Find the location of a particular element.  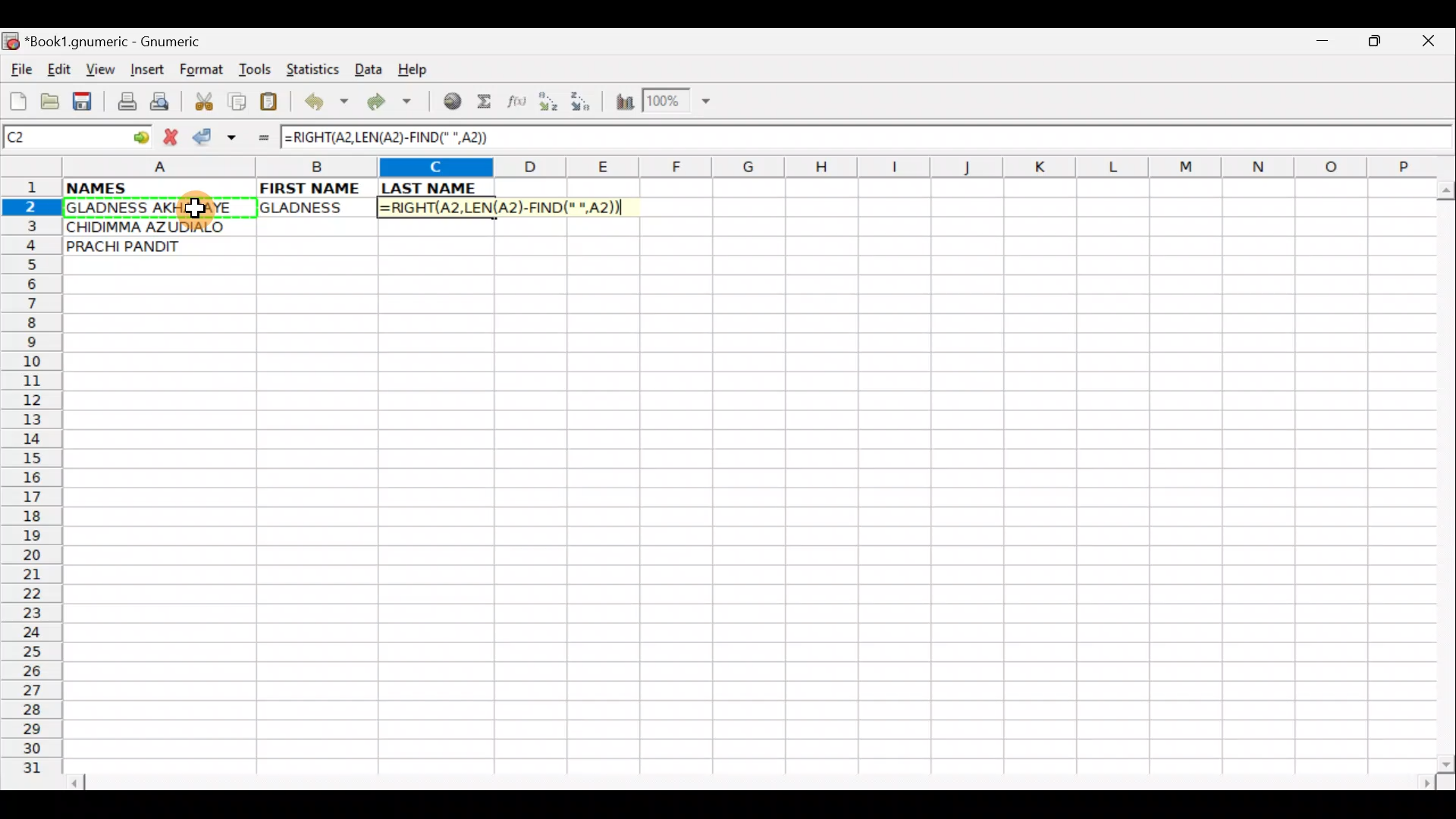

*Book1.gnumeric - Gnumeric is located at coordinates (127, 42).